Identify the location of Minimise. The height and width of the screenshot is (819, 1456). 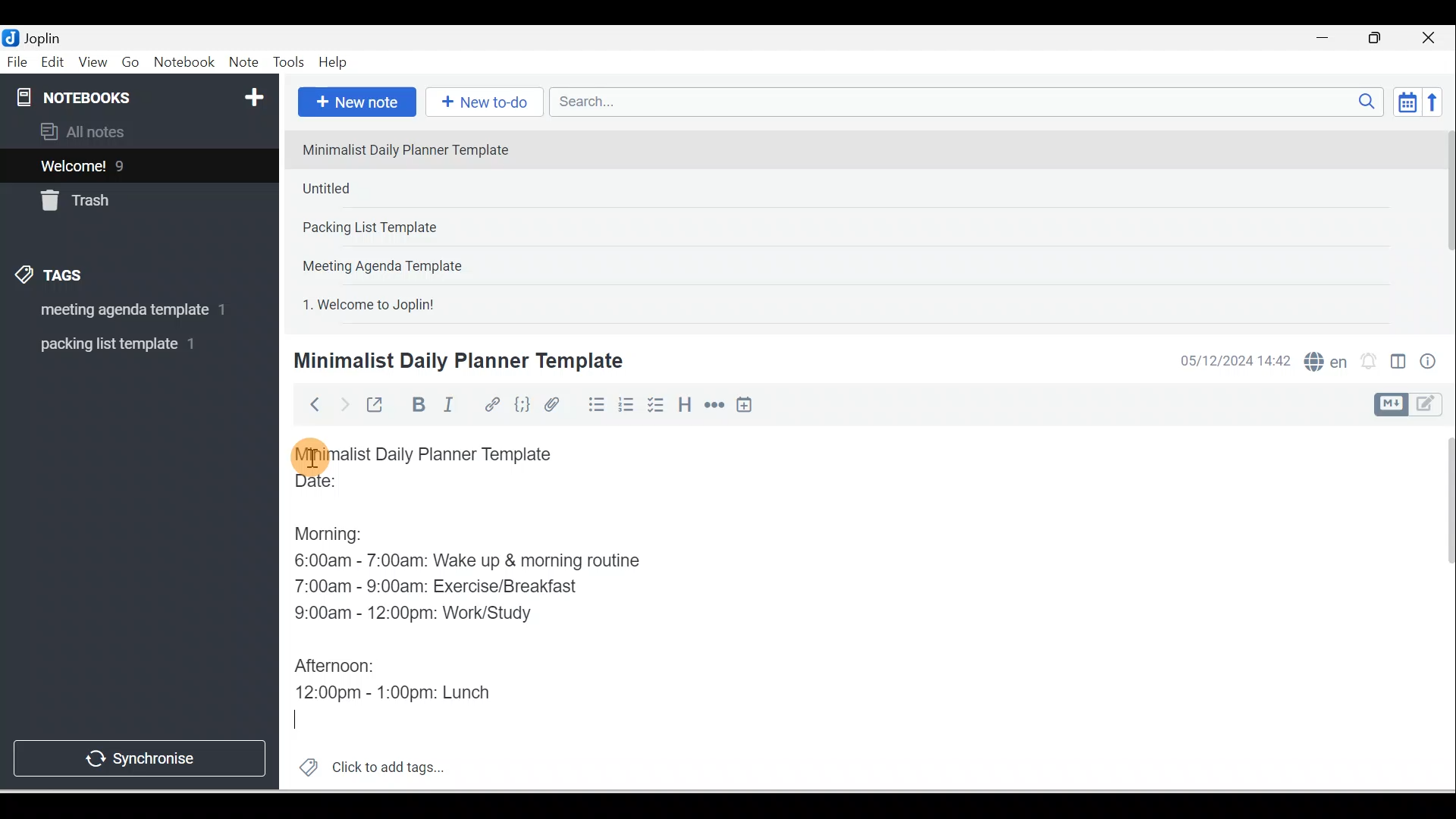
(1327, 39).